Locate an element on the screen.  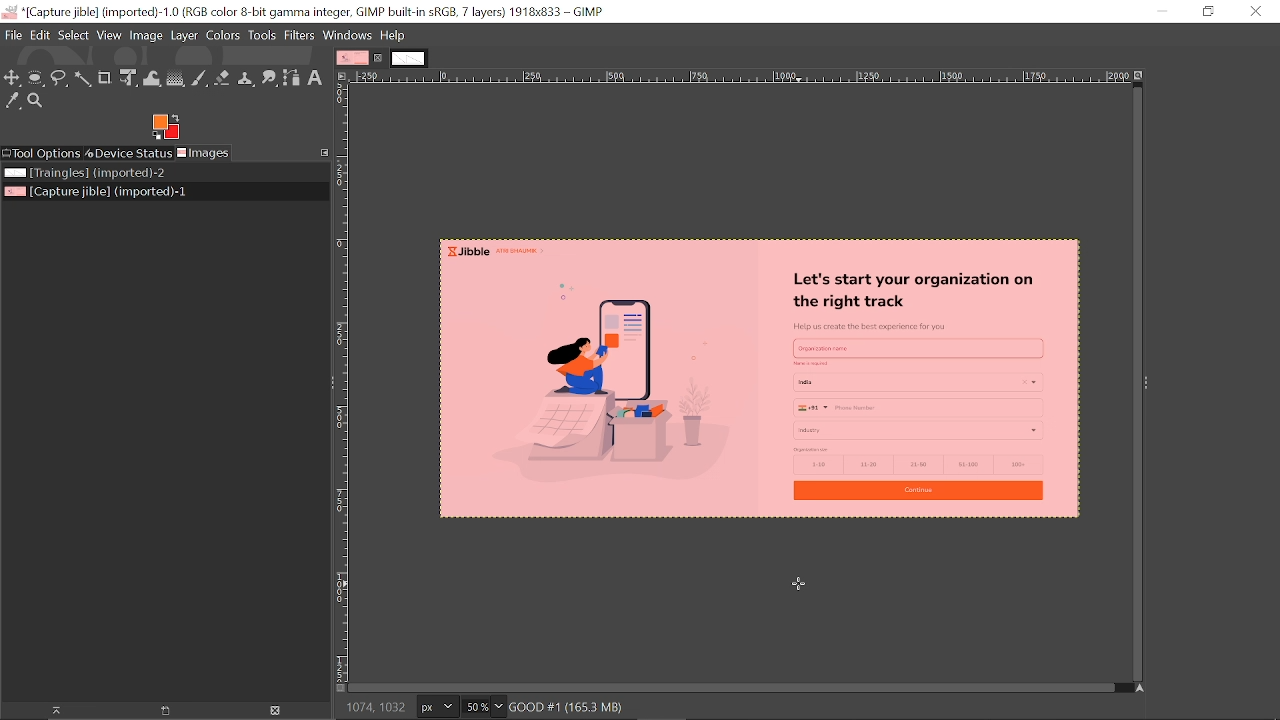
View is located at coordinates (109, 35).